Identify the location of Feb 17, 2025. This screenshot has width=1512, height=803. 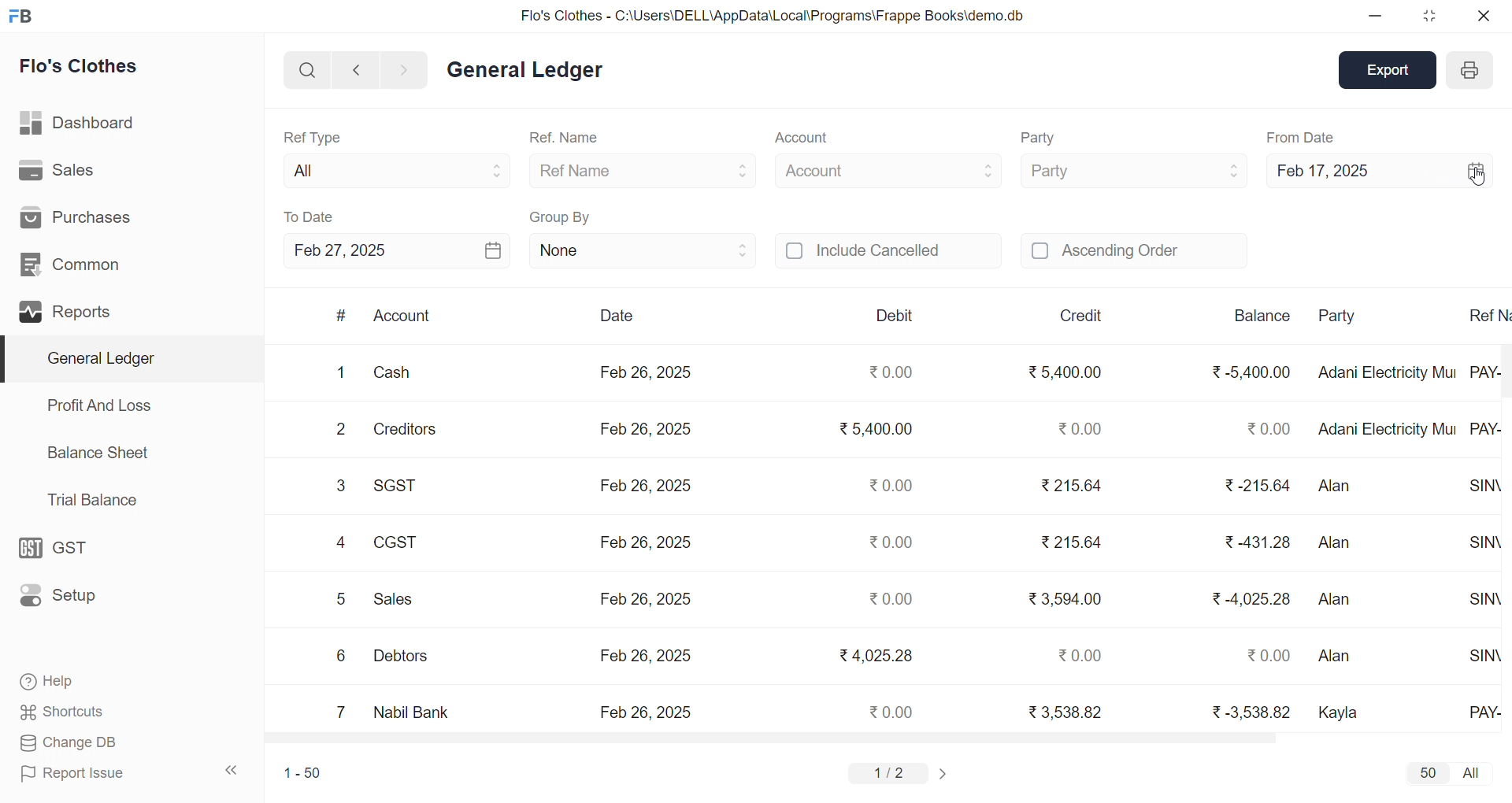
(1378, 168).